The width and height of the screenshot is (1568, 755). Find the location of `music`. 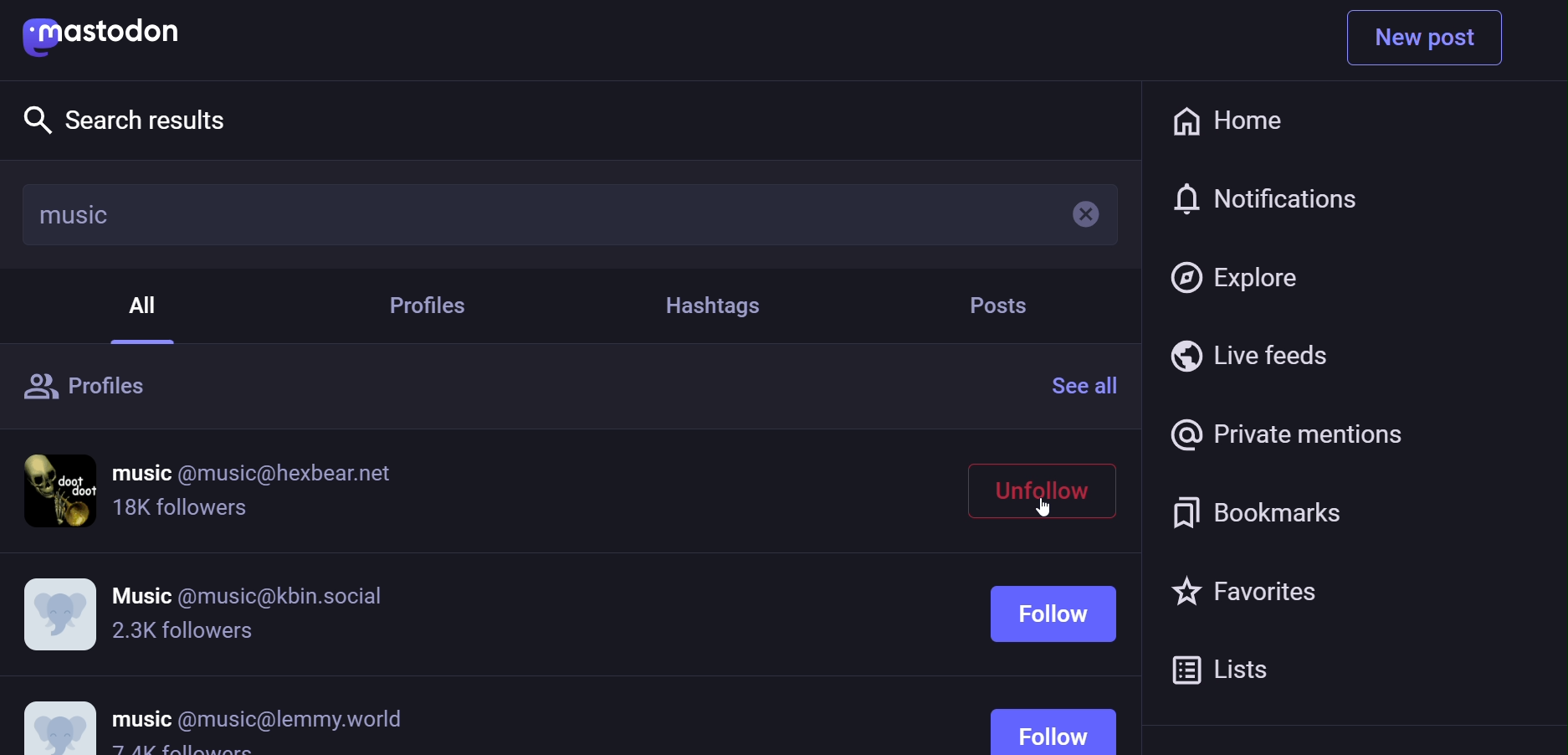

music is located at coordinates (75, 214).